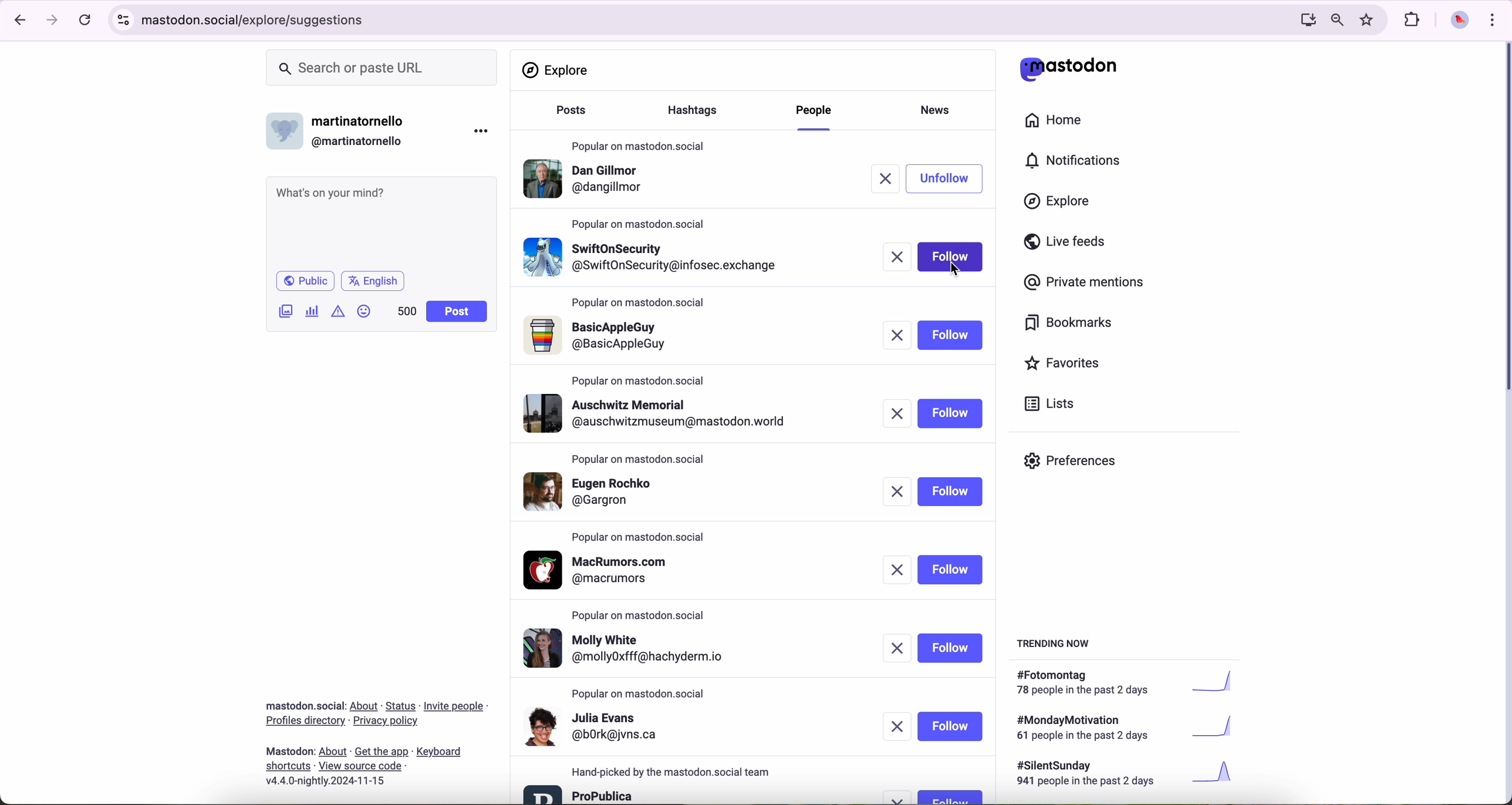 The width and height of the screenshot is (1512, 805). I want to click on post button, so click(457, 312).